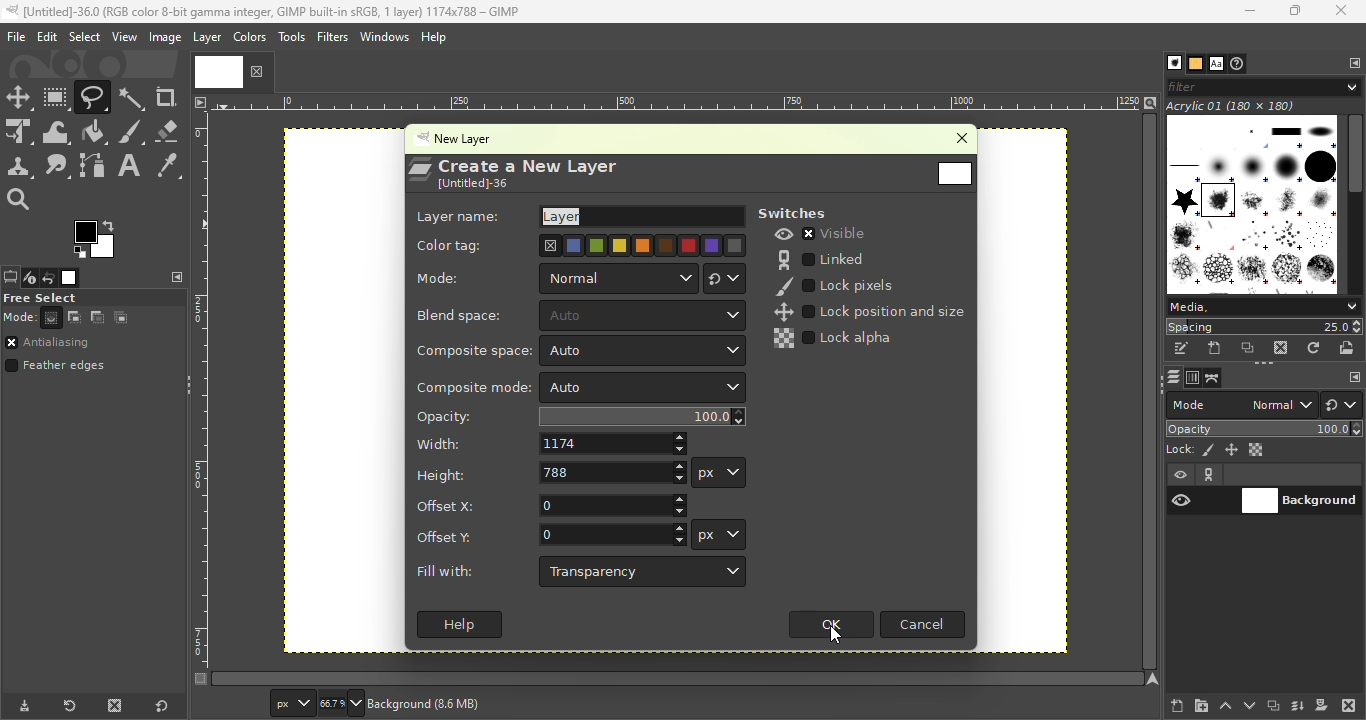 This screenshot has height=720, width=1366. Describe the element at coordinates (1169, 377) in the screenshot. I see `Layers` at that location.